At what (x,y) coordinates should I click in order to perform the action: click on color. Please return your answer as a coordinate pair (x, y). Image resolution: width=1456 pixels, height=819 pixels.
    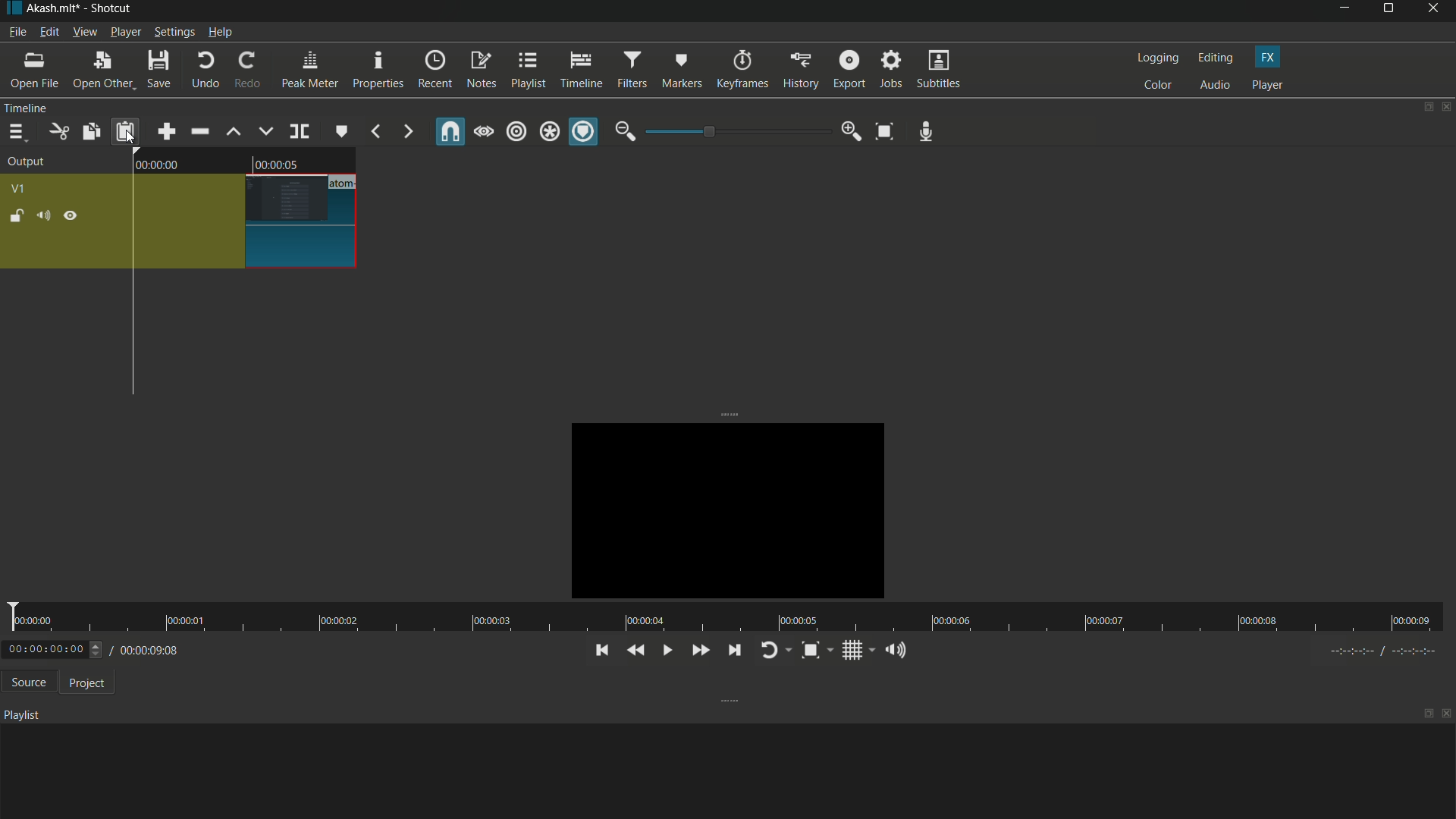
    Looking at the image, I should click on (1157, 85).